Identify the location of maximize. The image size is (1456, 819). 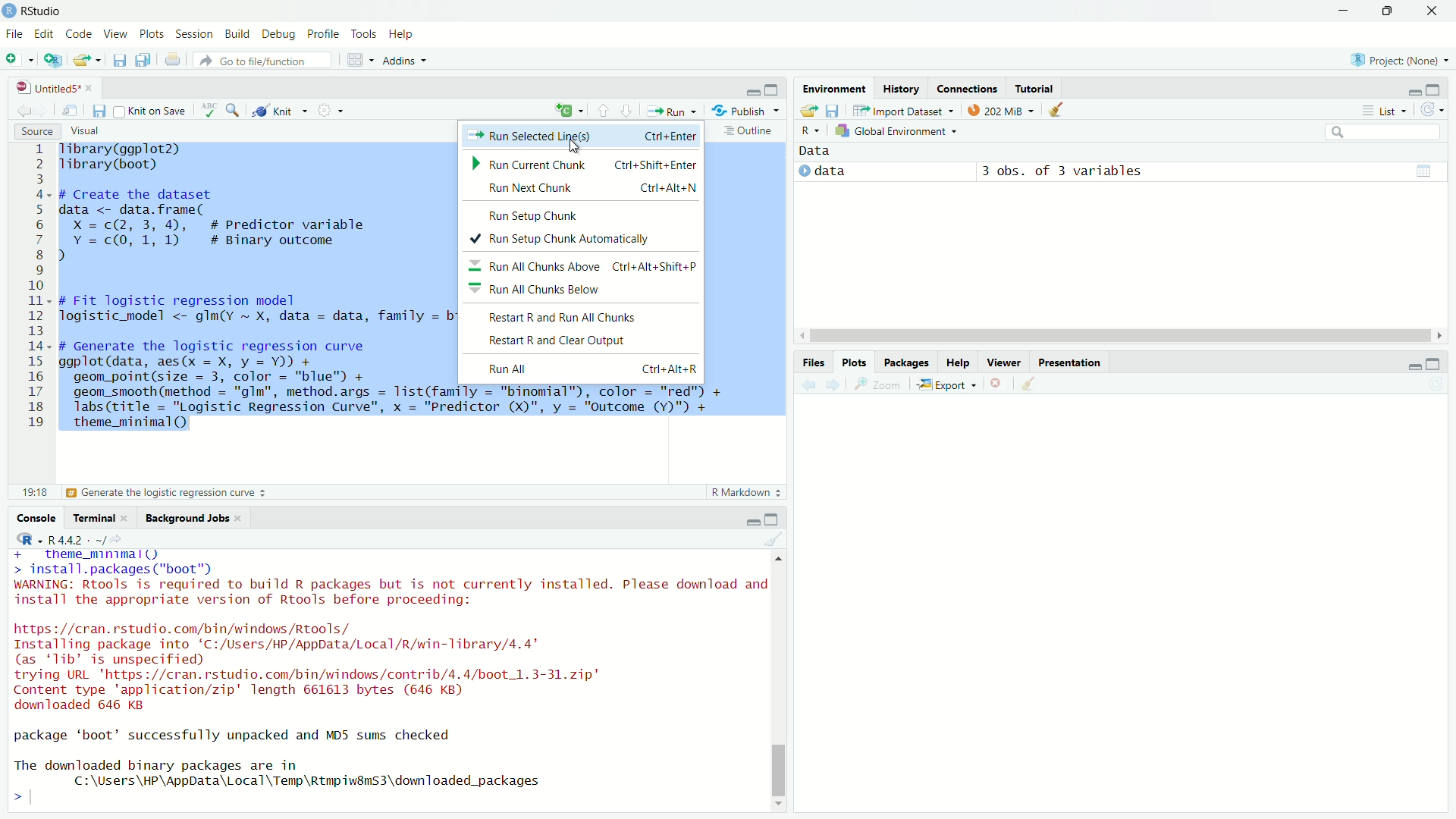
(1433, 364).